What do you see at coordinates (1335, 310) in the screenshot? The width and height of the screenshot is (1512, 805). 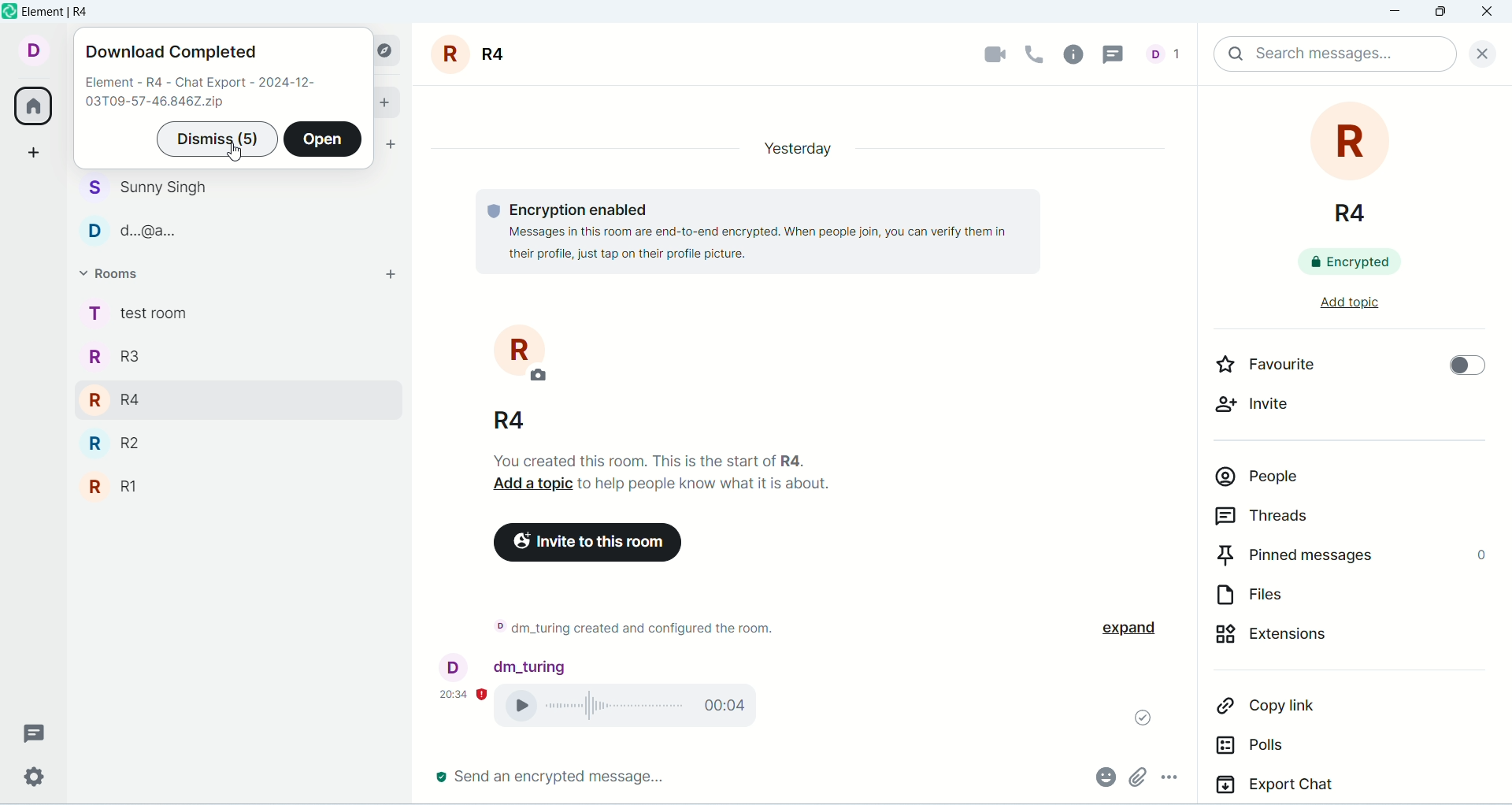 I see `add topic` at bounding box center [1335, 310].